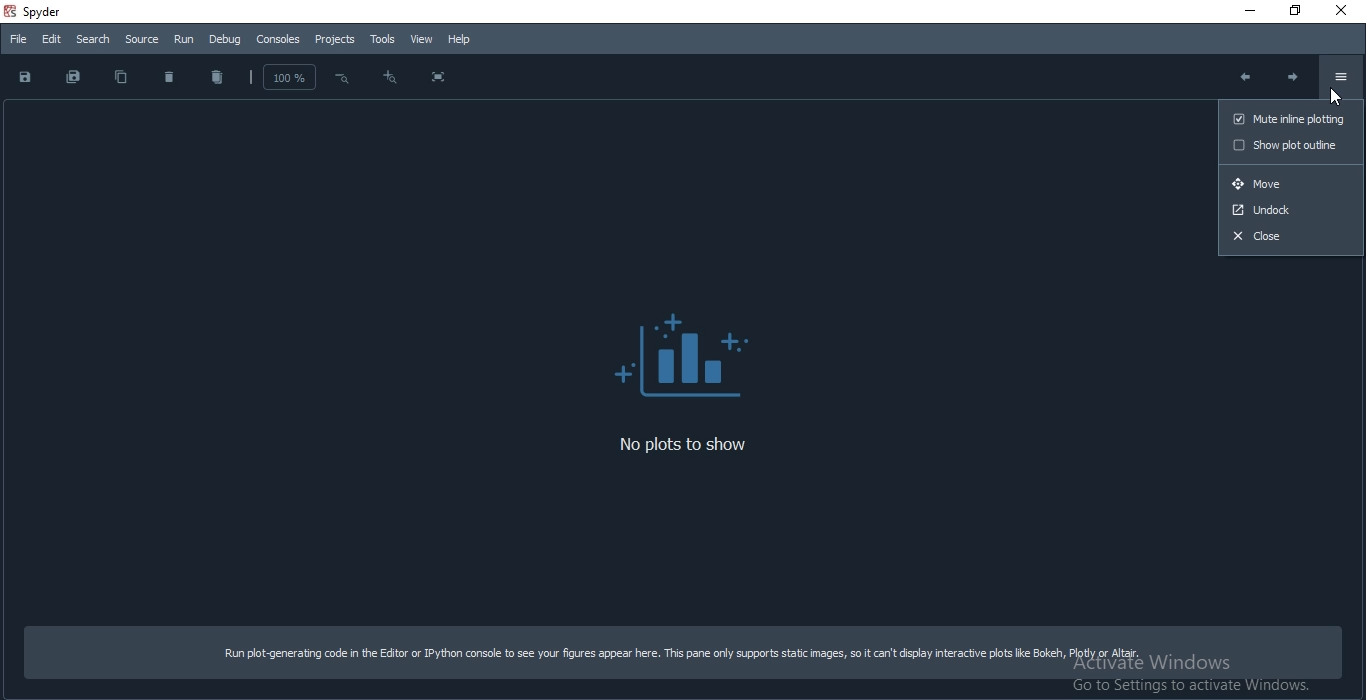 This screenshot has width=1366, height=700. What do you see at coordinates (1341, 77) in the screenshot?
I see `Options` at bounding box center [1341, 77].